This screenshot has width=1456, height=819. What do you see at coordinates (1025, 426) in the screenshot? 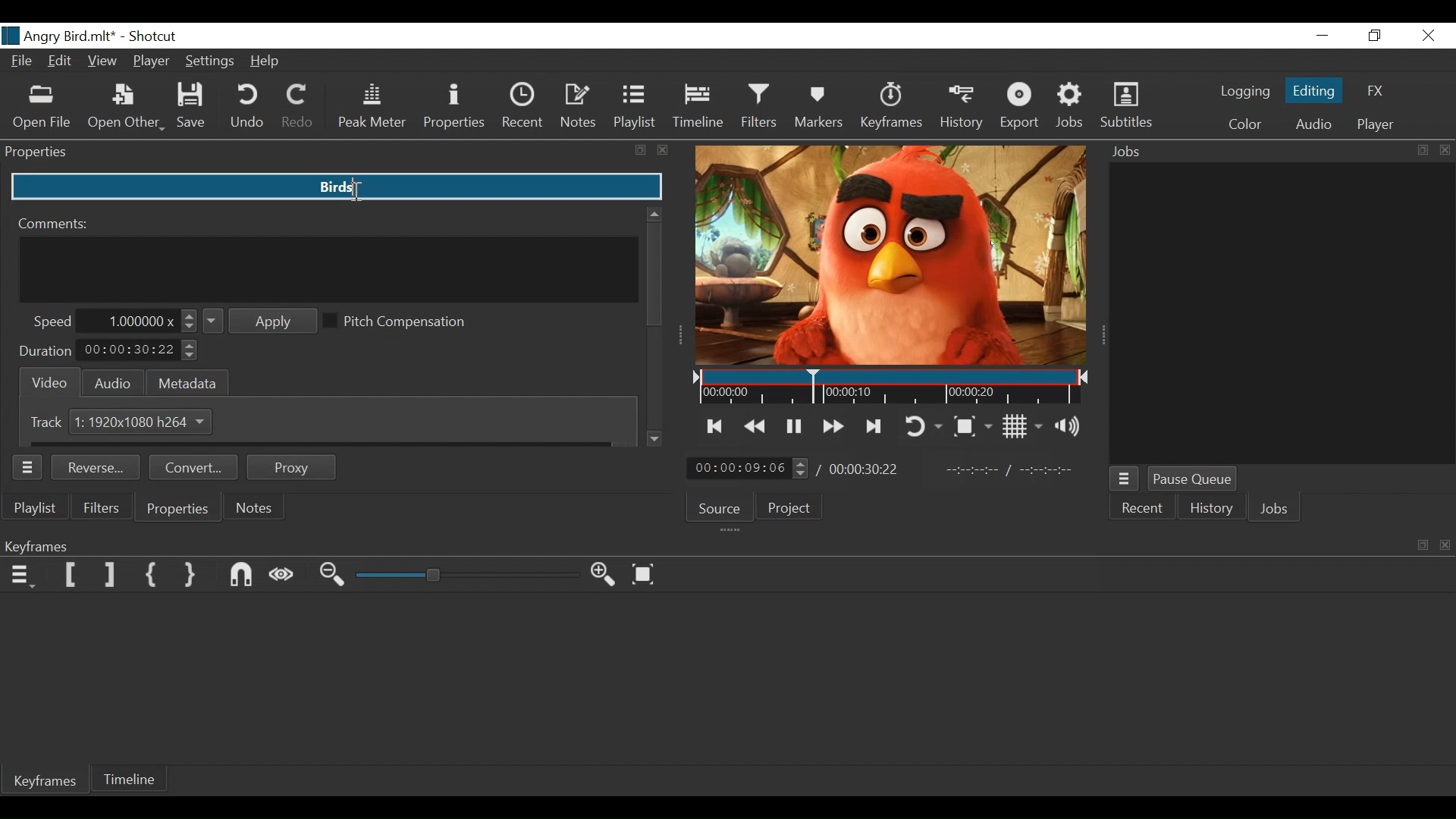
I see `Toggle display grid on player` at bounding box center [1025, 426].